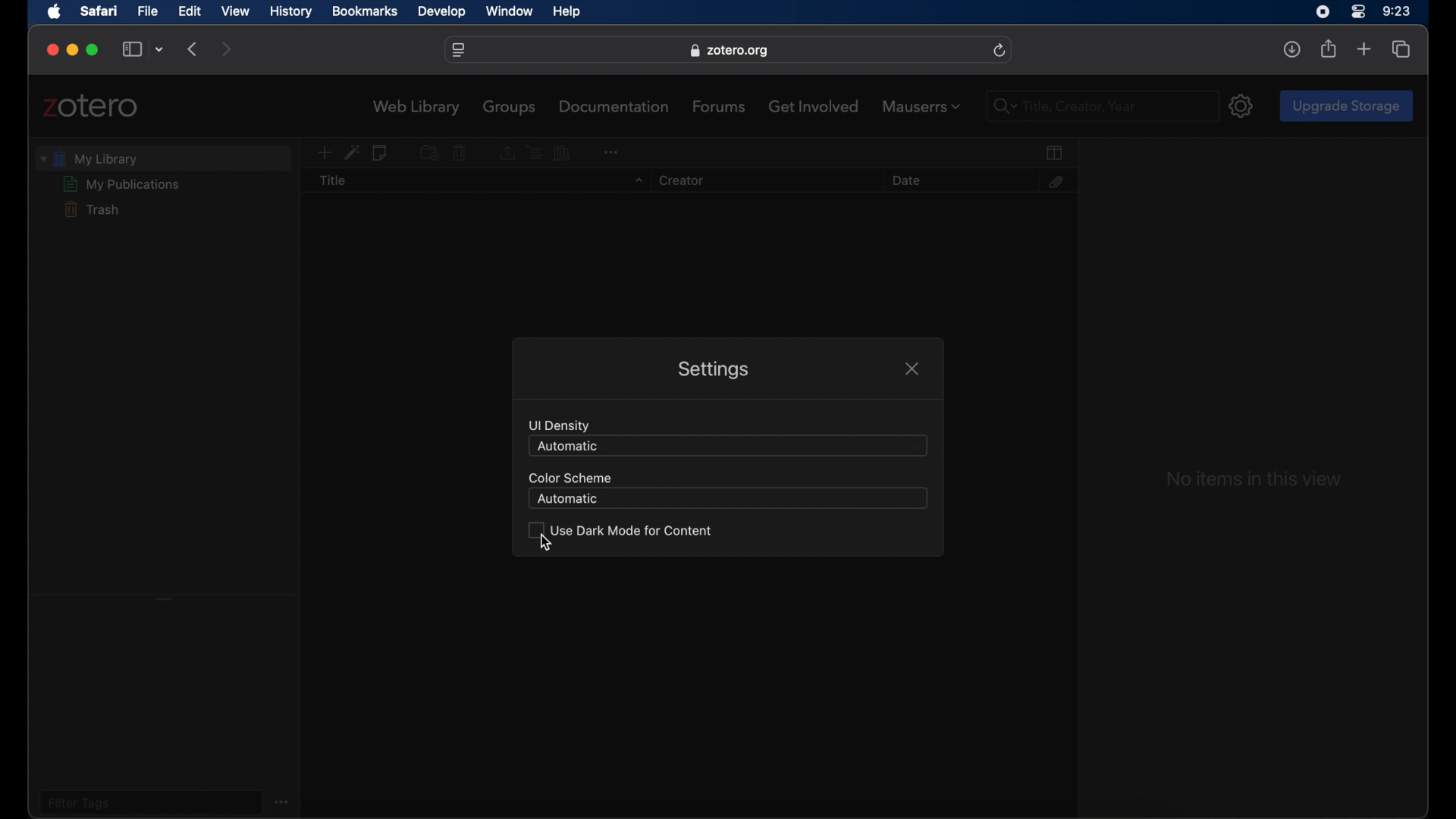 The height and width of the screenshot is (819, 1456). I want to click on UI density, so click(560, 425).